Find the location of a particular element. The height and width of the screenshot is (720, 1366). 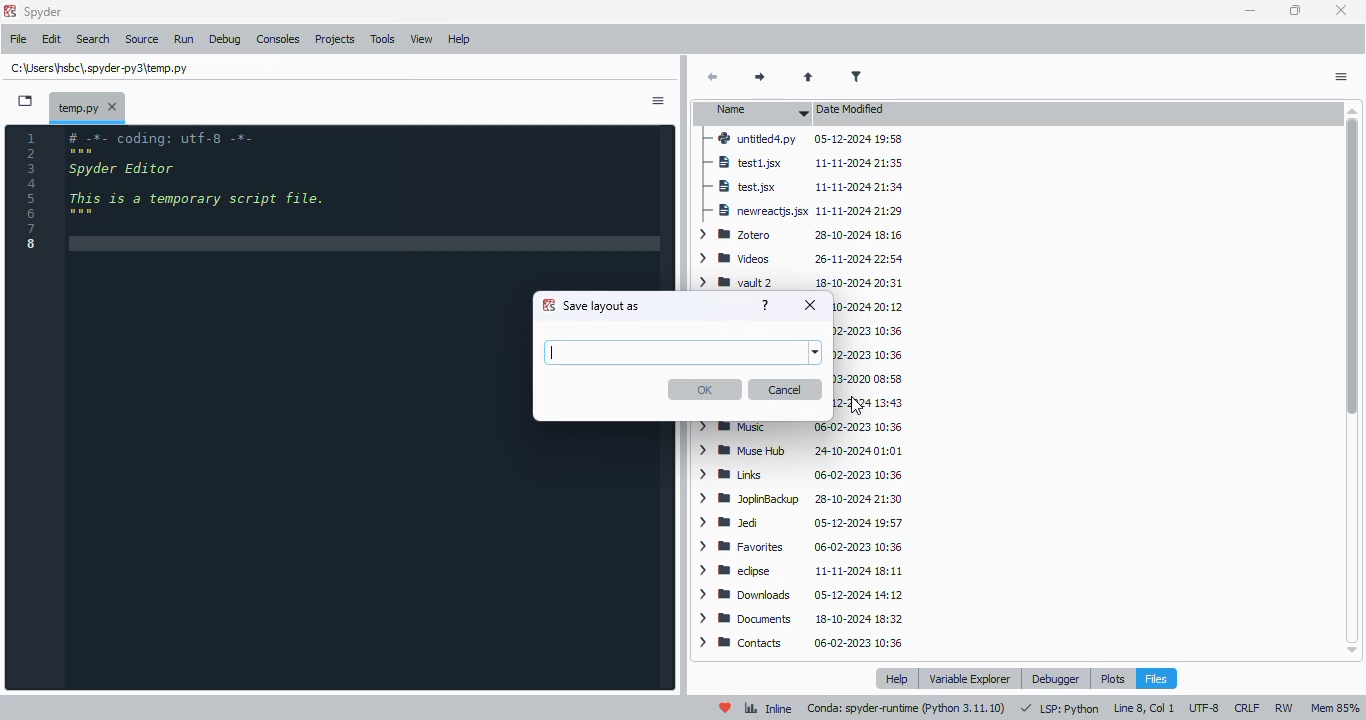

files is located at coordinates (1156, 678).